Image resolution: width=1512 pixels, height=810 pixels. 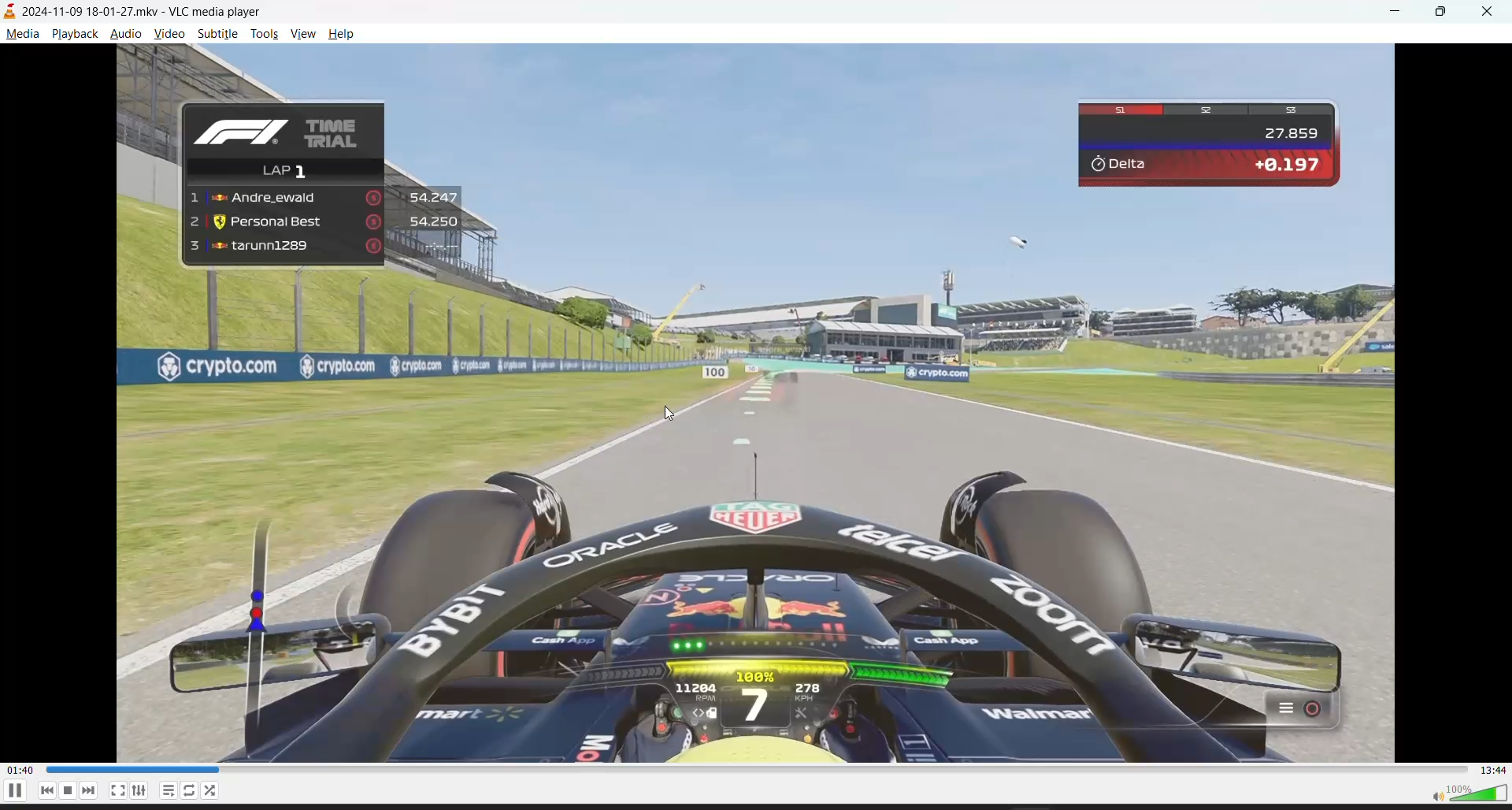 What do you see at coordinates (216, 35) in the screenshot?
I see `subtitle` at bounding box center [216, 35].